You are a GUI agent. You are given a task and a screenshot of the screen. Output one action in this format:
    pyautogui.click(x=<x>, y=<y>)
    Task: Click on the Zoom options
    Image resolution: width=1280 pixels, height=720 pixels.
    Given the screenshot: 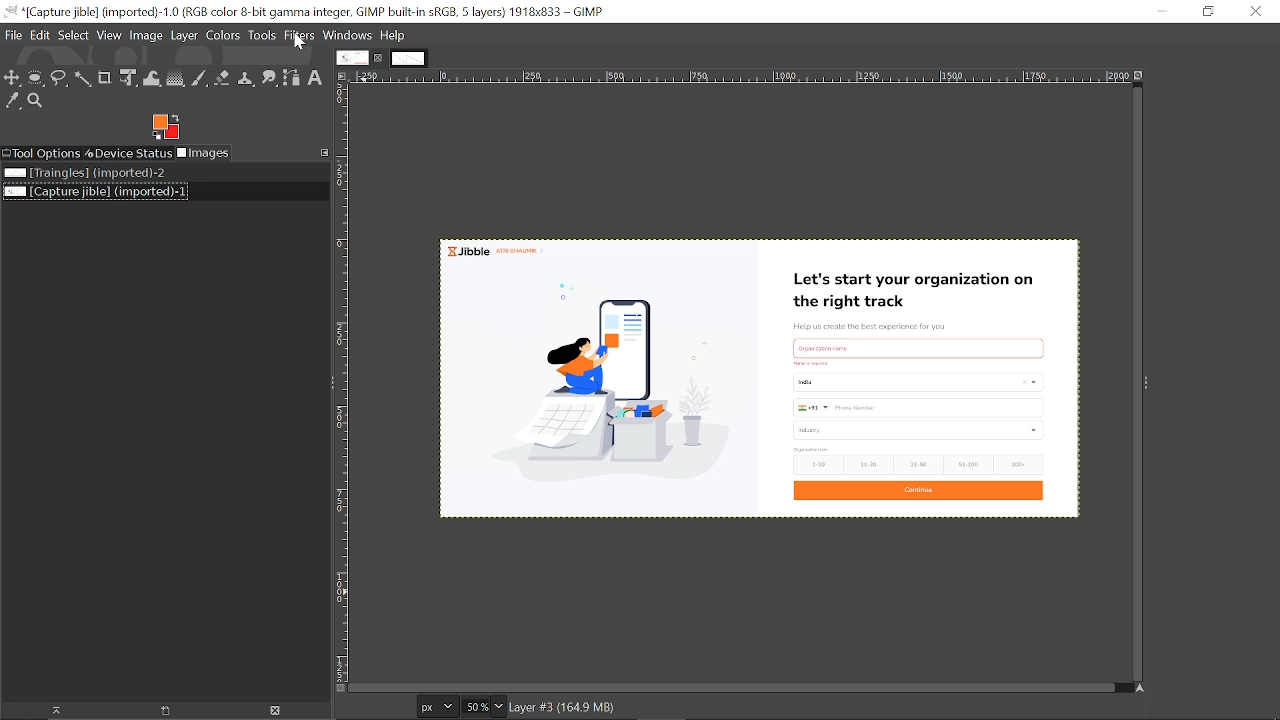 What is the action you would take?
    pyautogui.click(x=499, y=708)
    